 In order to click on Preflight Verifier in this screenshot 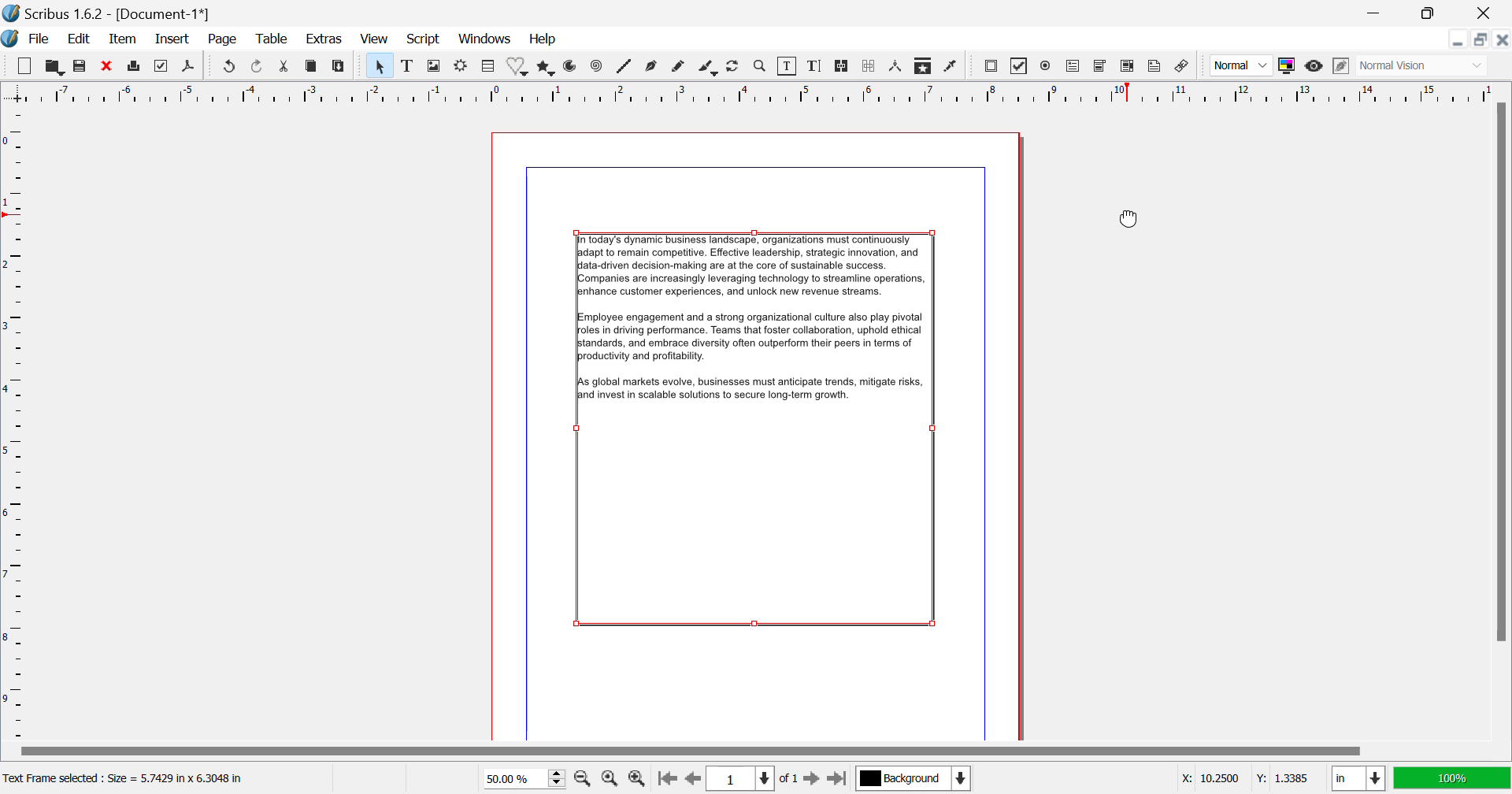, I will do `click(165, 66)`.